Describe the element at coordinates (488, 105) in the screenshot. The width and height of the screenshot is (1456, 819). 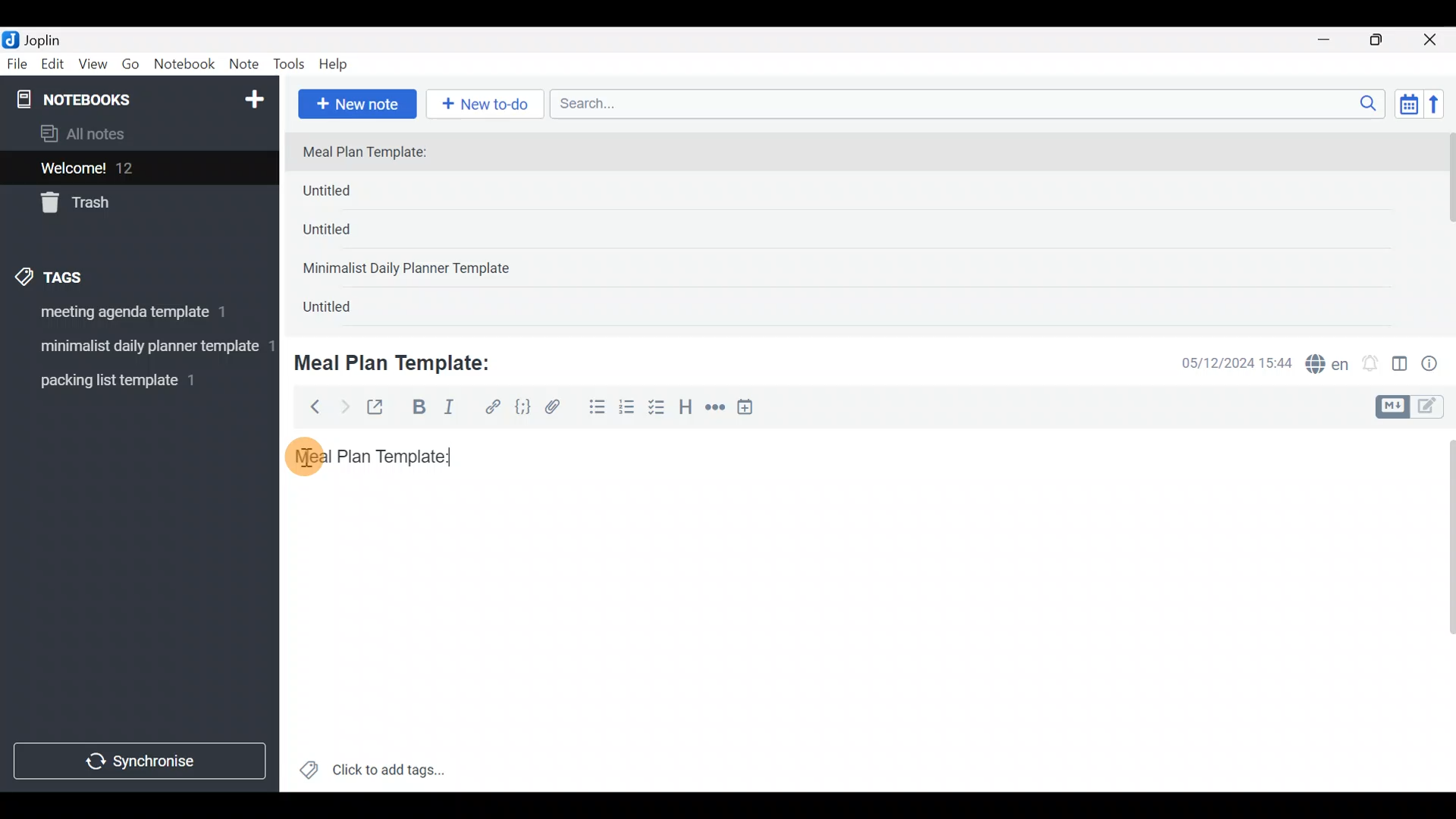
I see `New to-do` at that location.